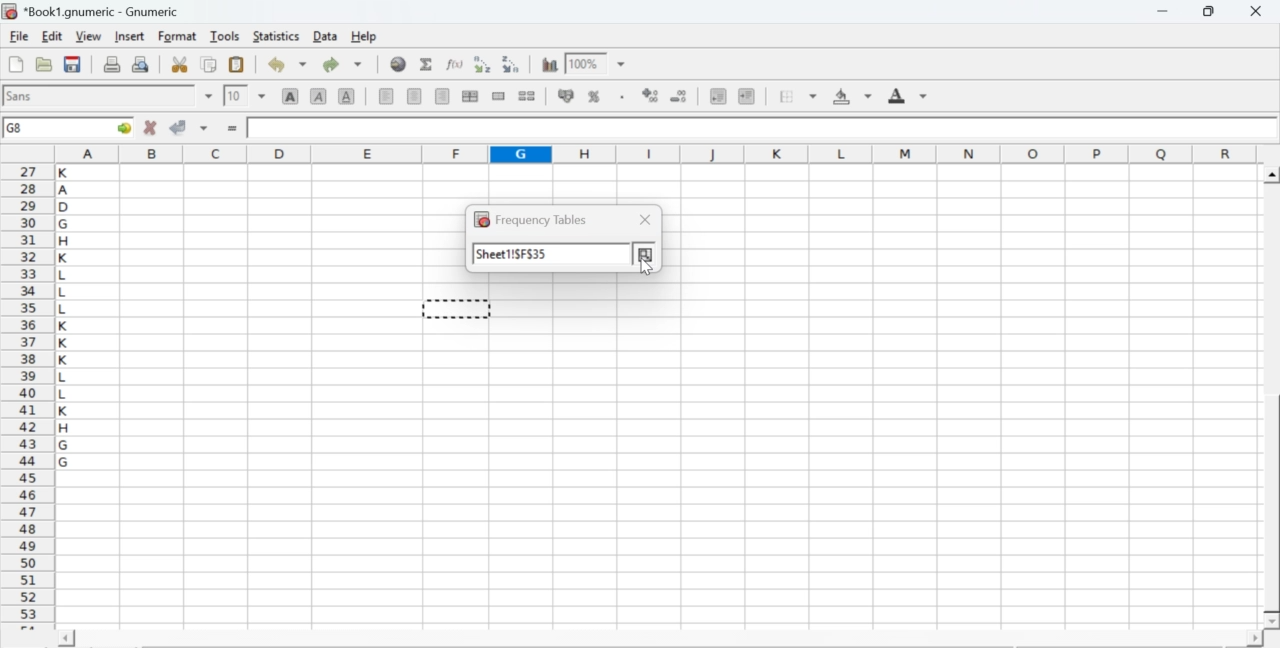 The width and height of the screenshot is (1280, 648). Describe the element at coordinates (179, 64) in the screenshot. I see `cut` at that location.